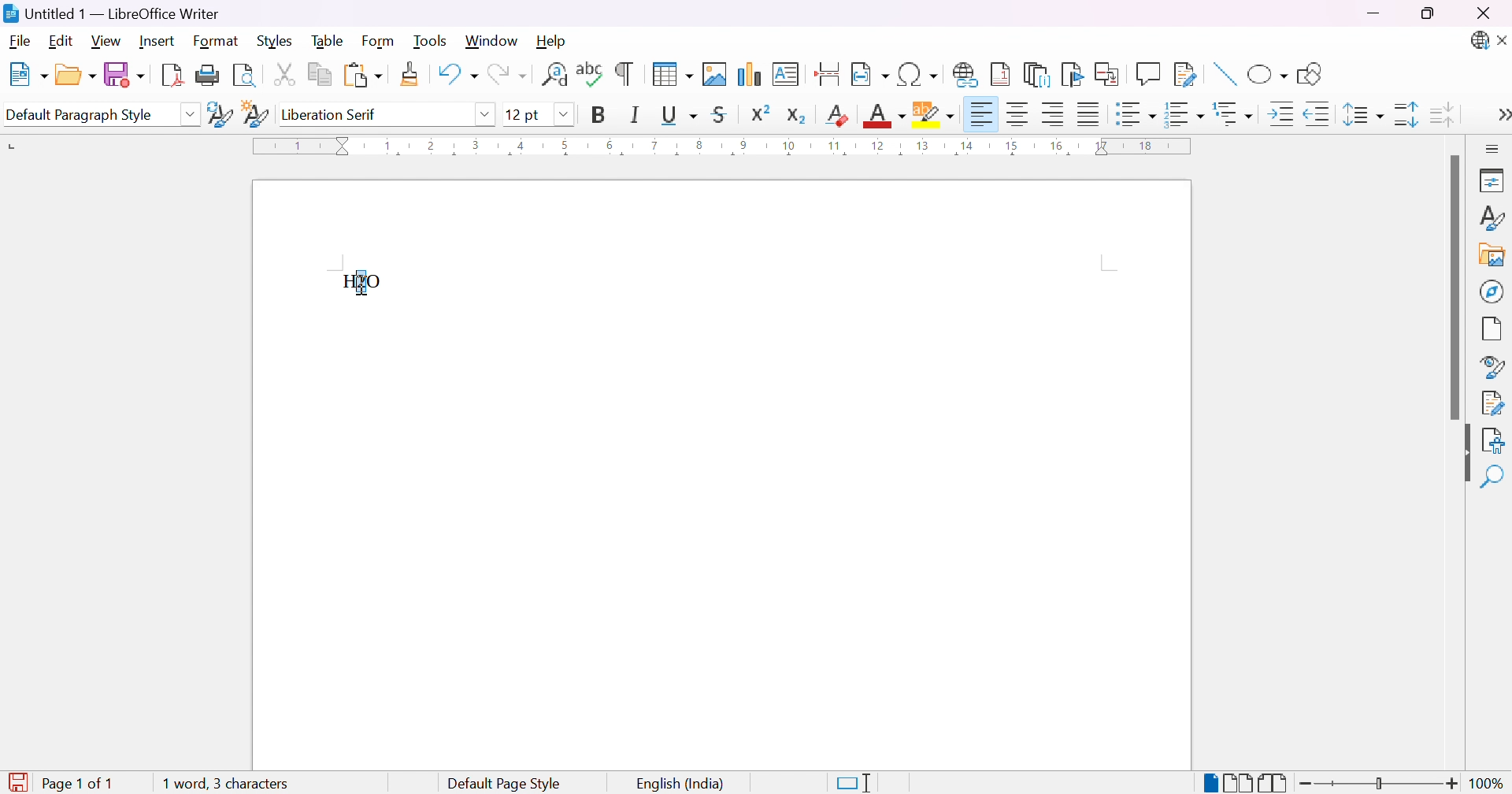 Image resolution: width=1512 pixels, height=794 pixels. What do you see at coordinates (591, 74) in the screenshot?
I see `Check spelling` at bounding box center [591, 74].